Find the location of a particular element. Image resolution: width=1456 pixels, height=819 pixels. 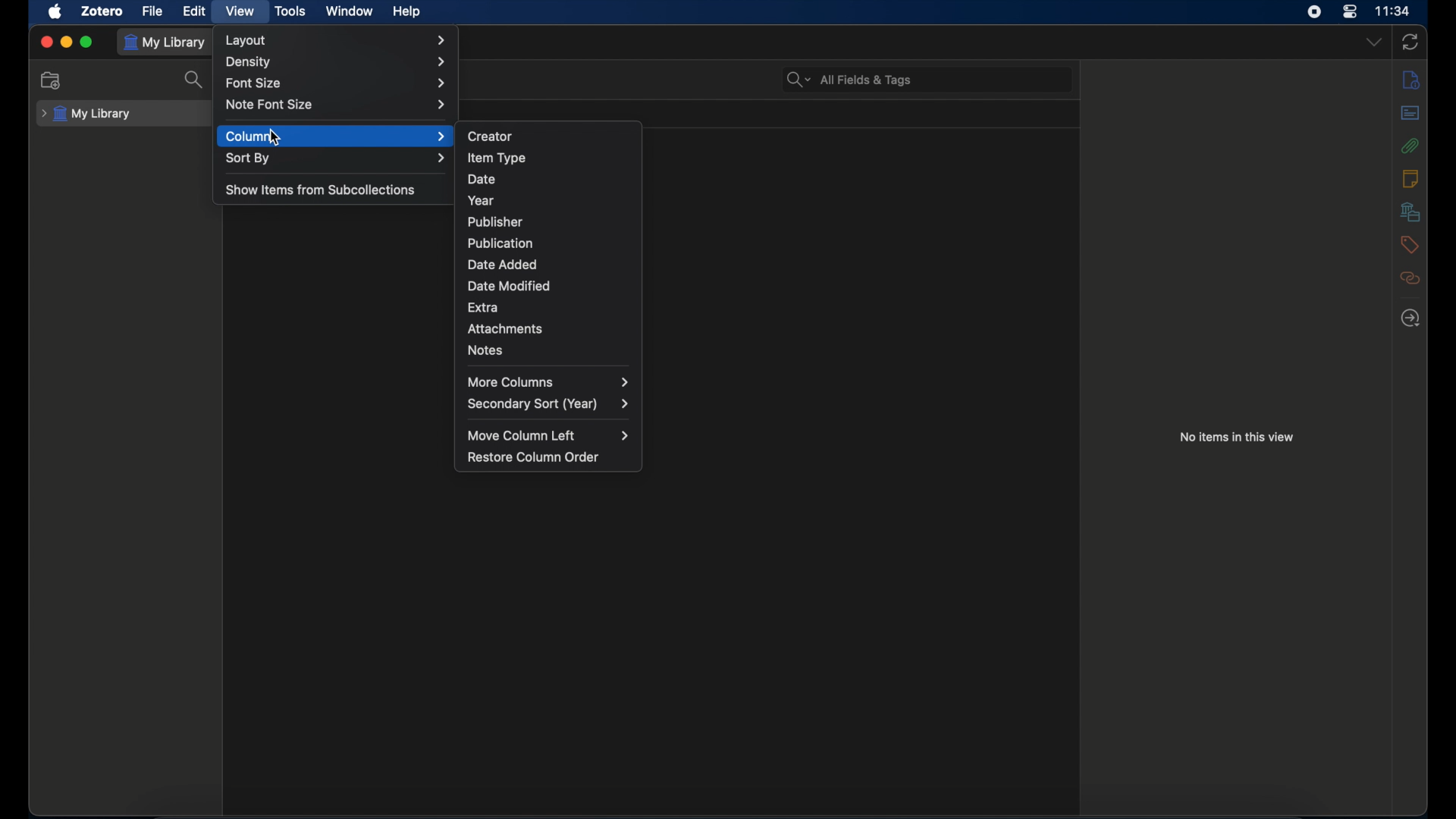

show items from subcollections is located at coordinates (322, 189).